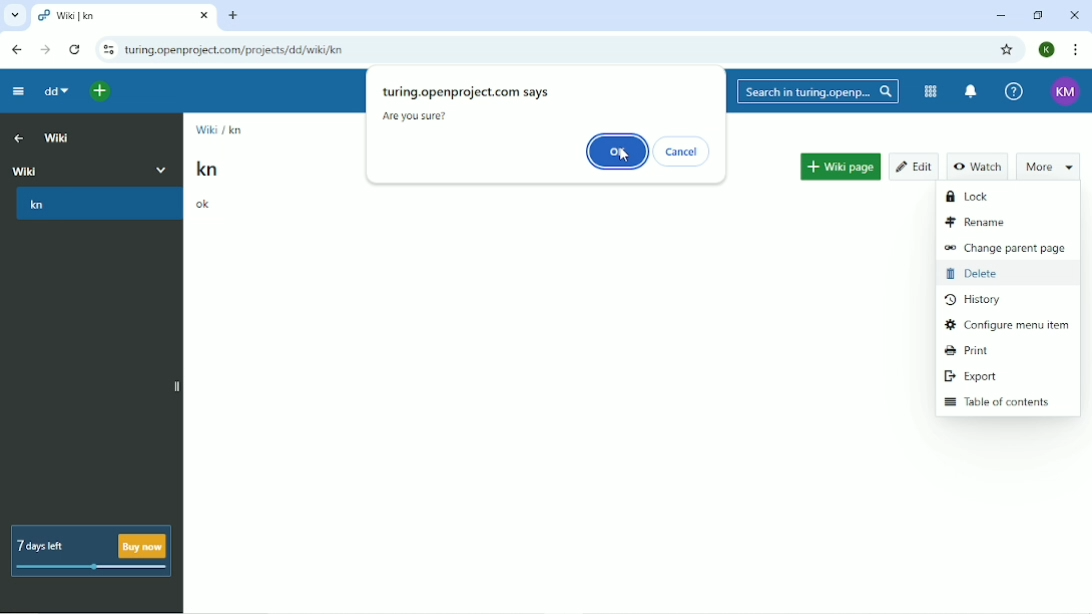 The image size is (1092, 614). What do you see at coordinates (1074, 50) in the screenshot?
I see `Customize and control google chrome` at bounding box center [1074, 50].